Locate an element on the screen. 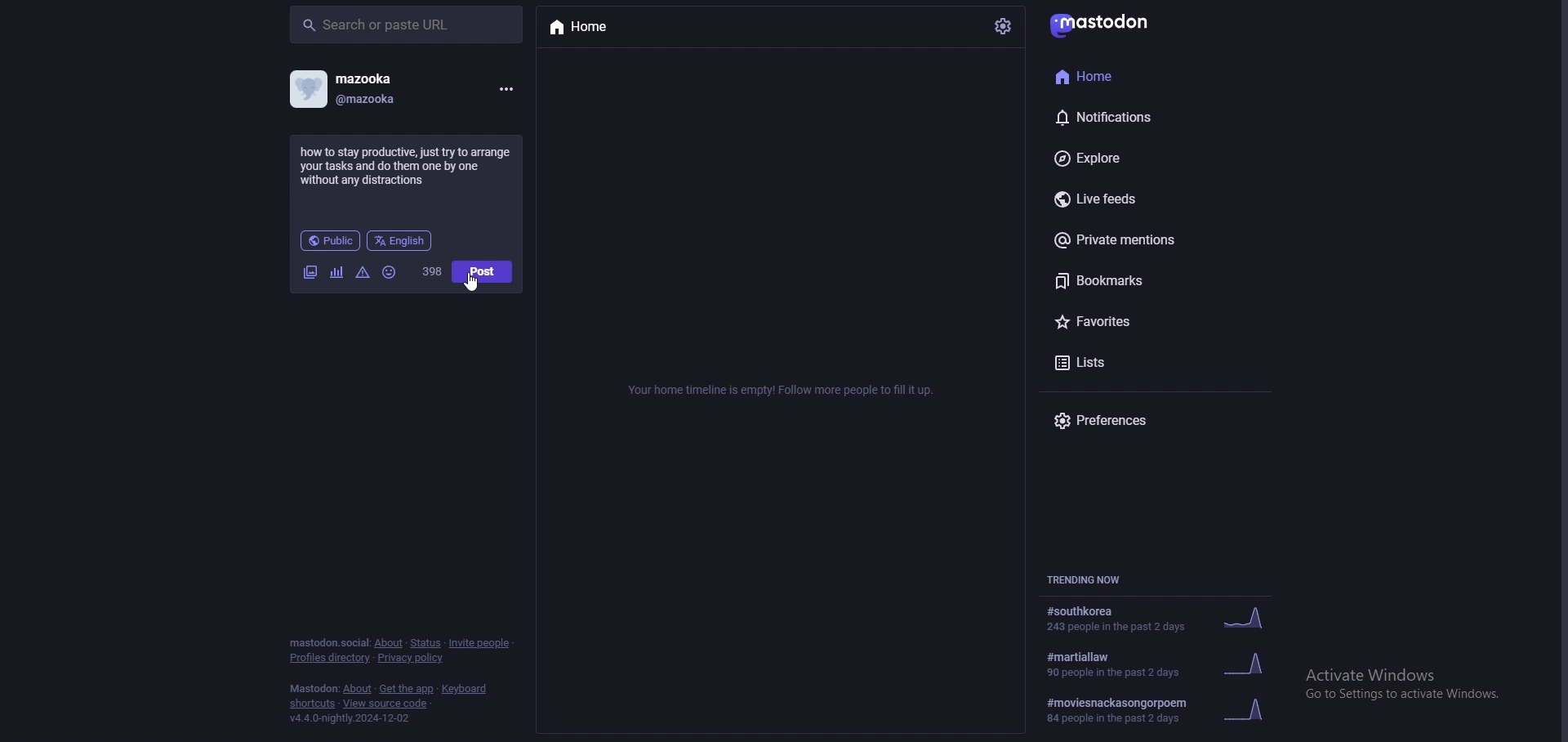 This screenshot has height=742, width=1568. preferences is located at coordinates (1111, 419).